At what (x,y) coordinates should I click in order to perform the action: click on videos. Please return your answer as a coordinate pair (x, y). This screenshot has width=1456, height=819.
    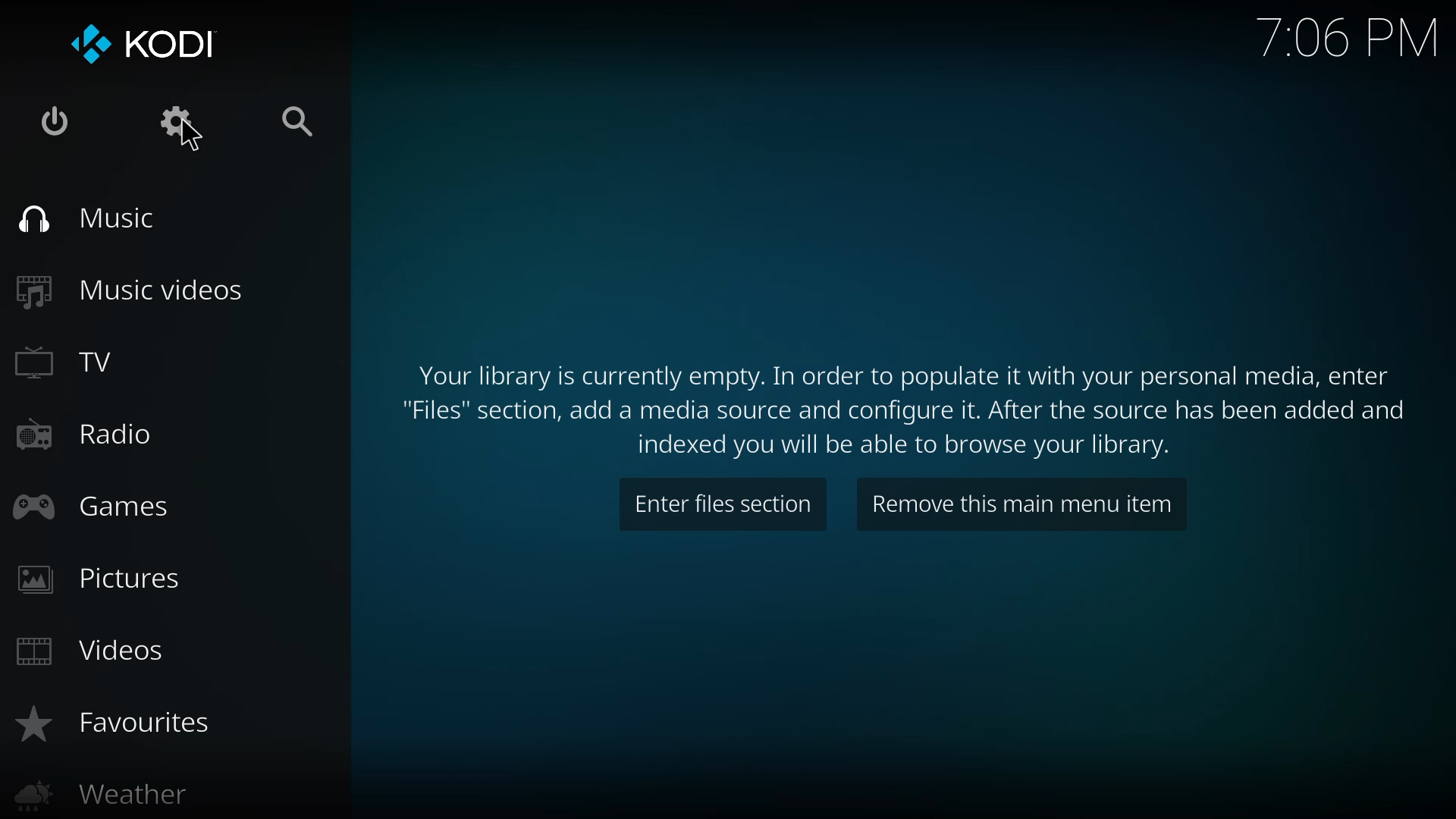
    Looking at the image, I should click on (89, 654).